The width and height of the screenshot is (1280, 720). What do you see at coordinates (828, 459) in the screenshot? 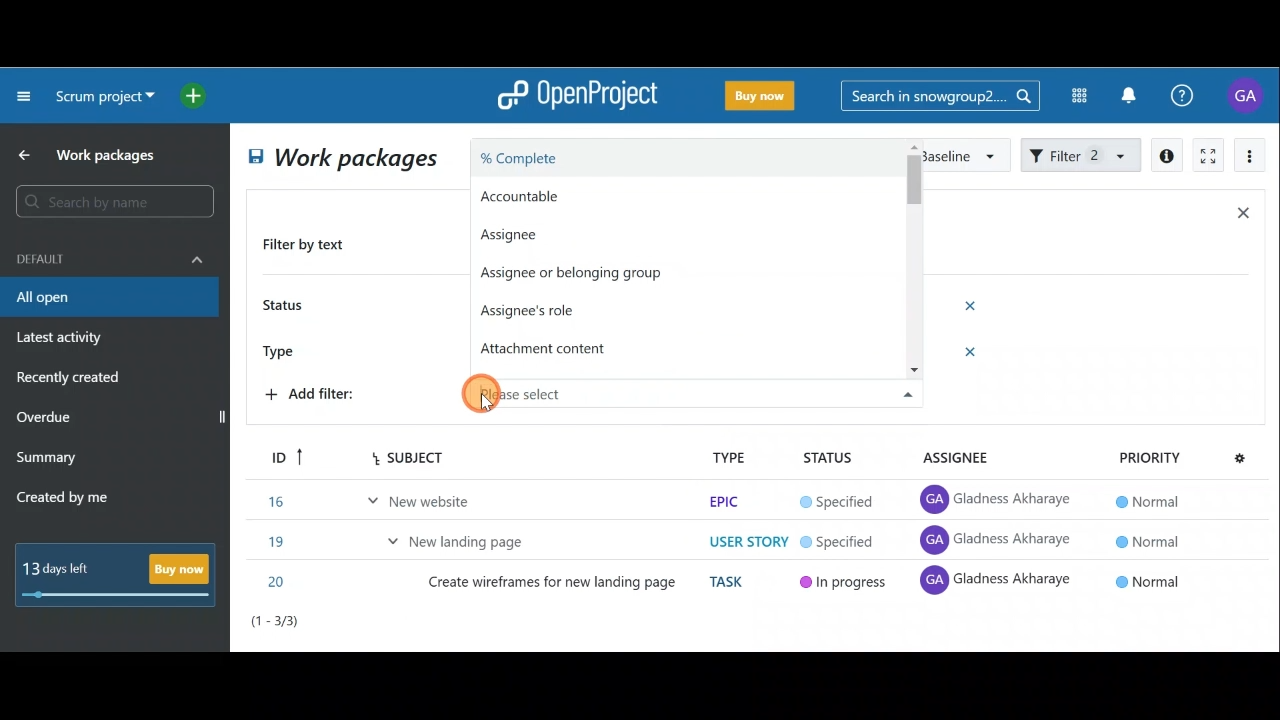
I see `STATUS` at bounding box center [828, 459].